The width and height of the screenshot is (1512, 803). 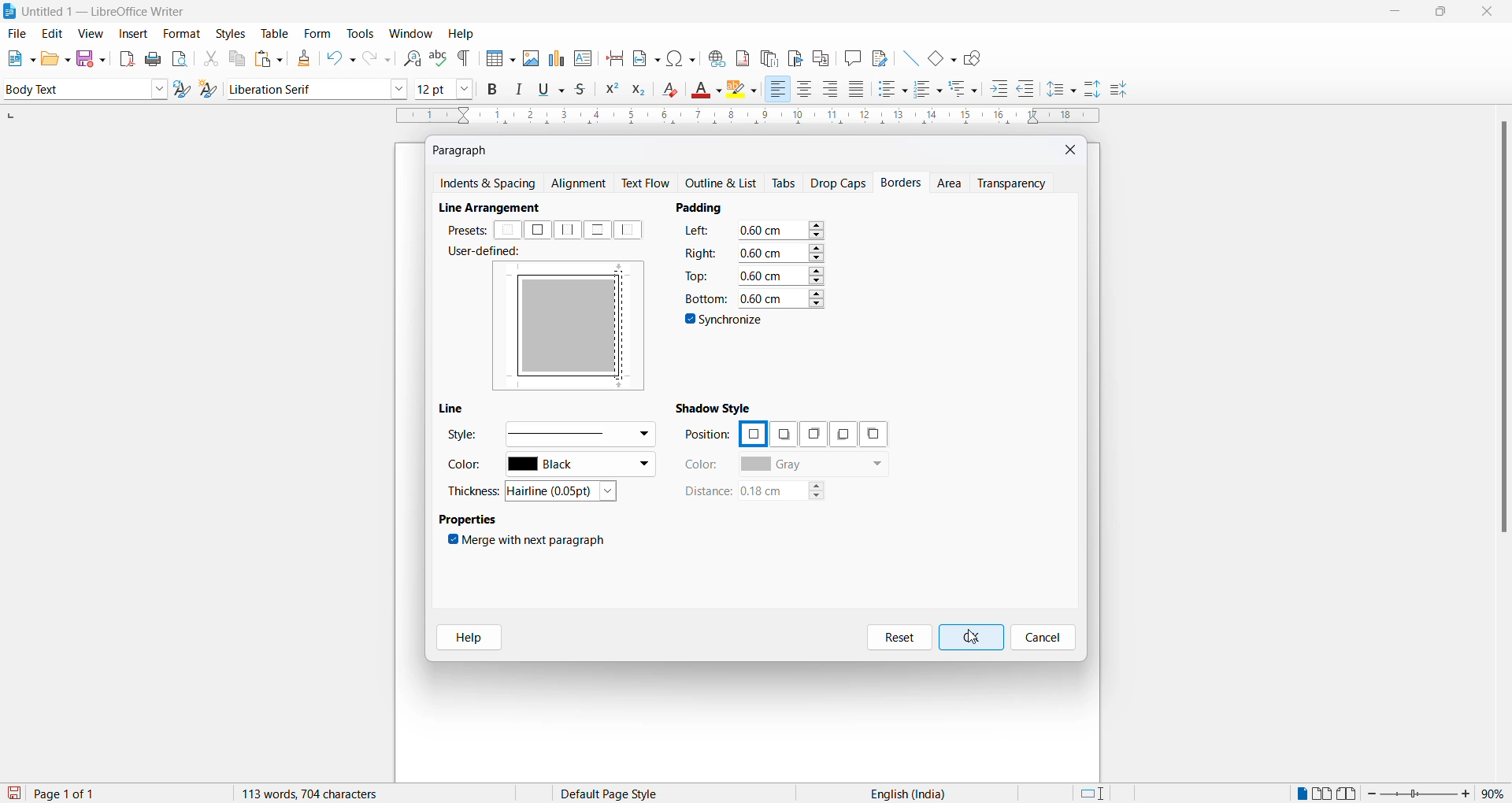 What do you see at coordinates (522, 90) in the screenshot?
I see `italic` at bounding box center [522, 90].